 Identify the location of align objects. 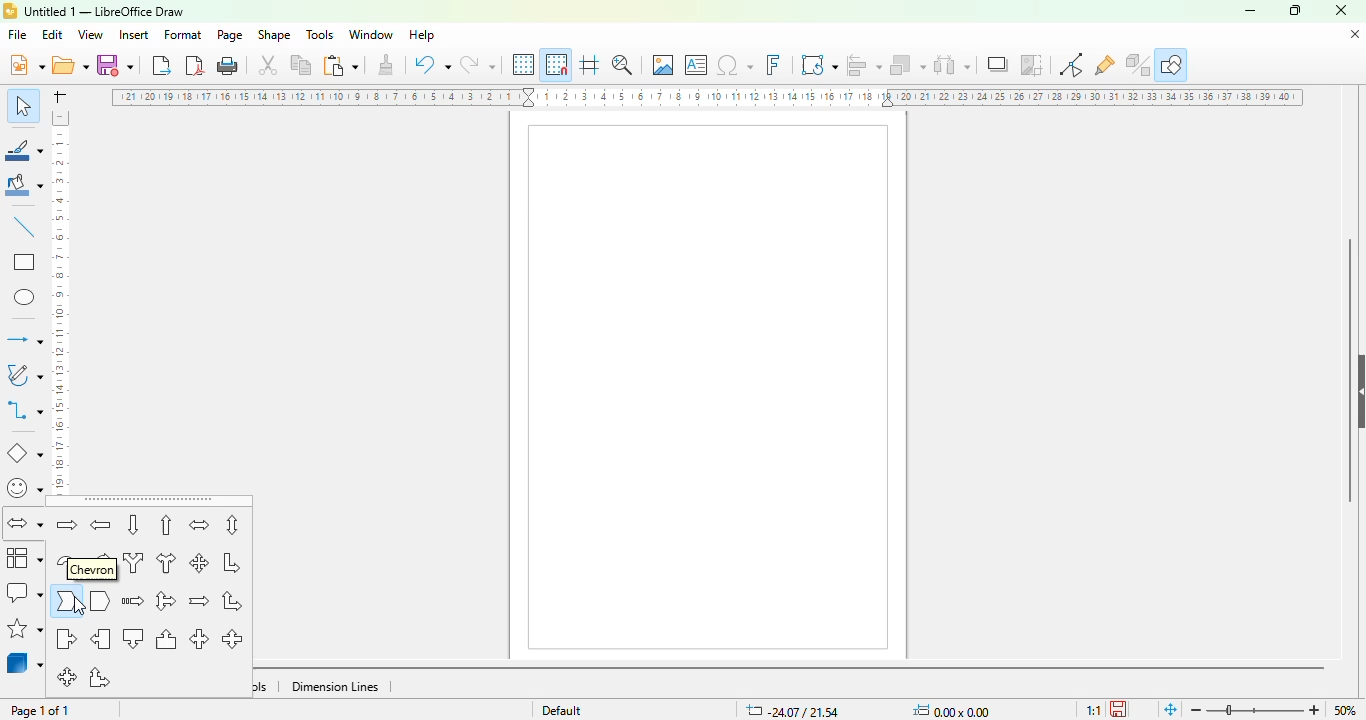
(864, 65).